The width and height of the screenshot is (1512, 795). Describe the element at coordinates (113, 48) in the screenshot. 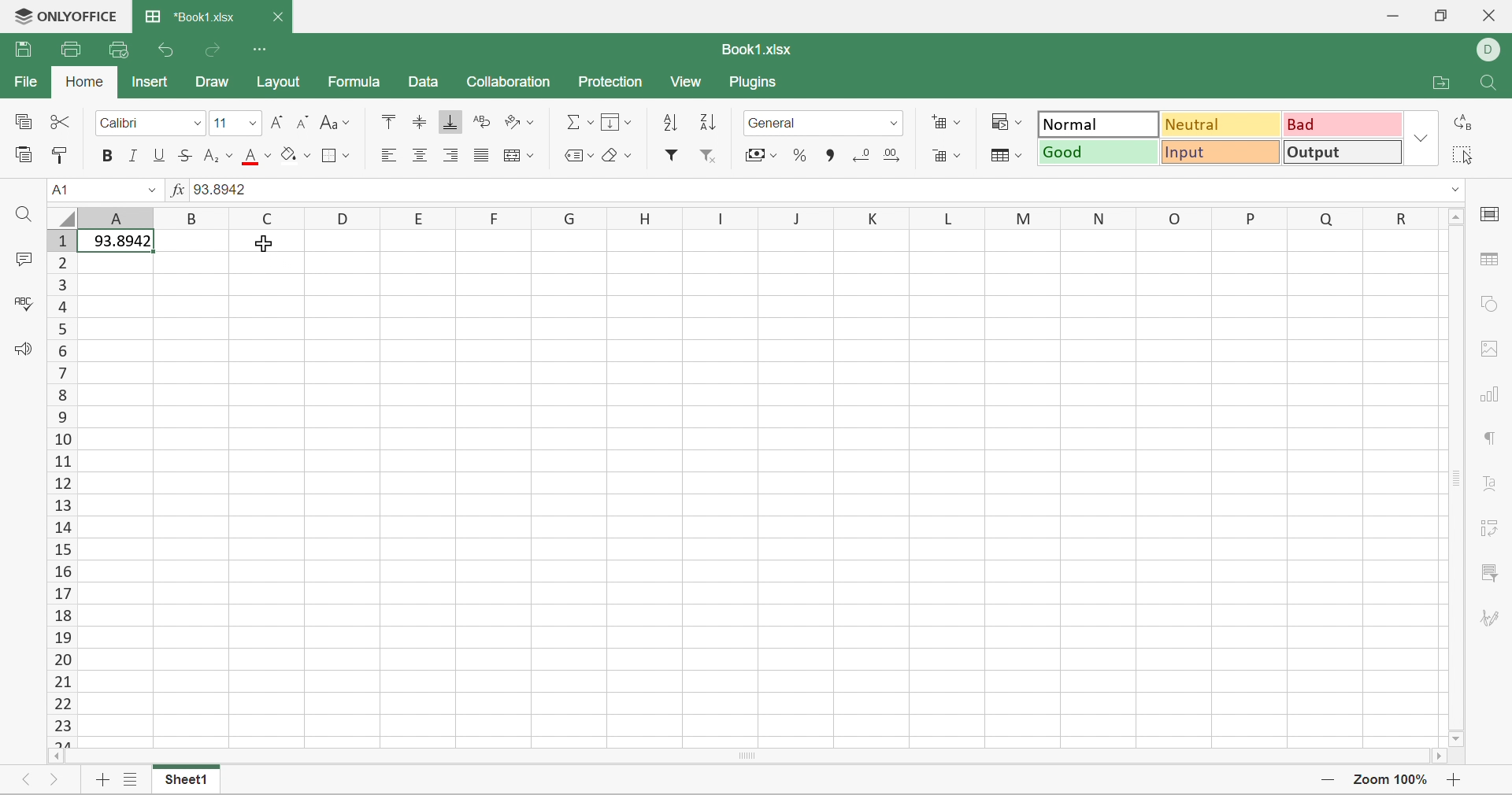

I see `Quick Print` at that location.